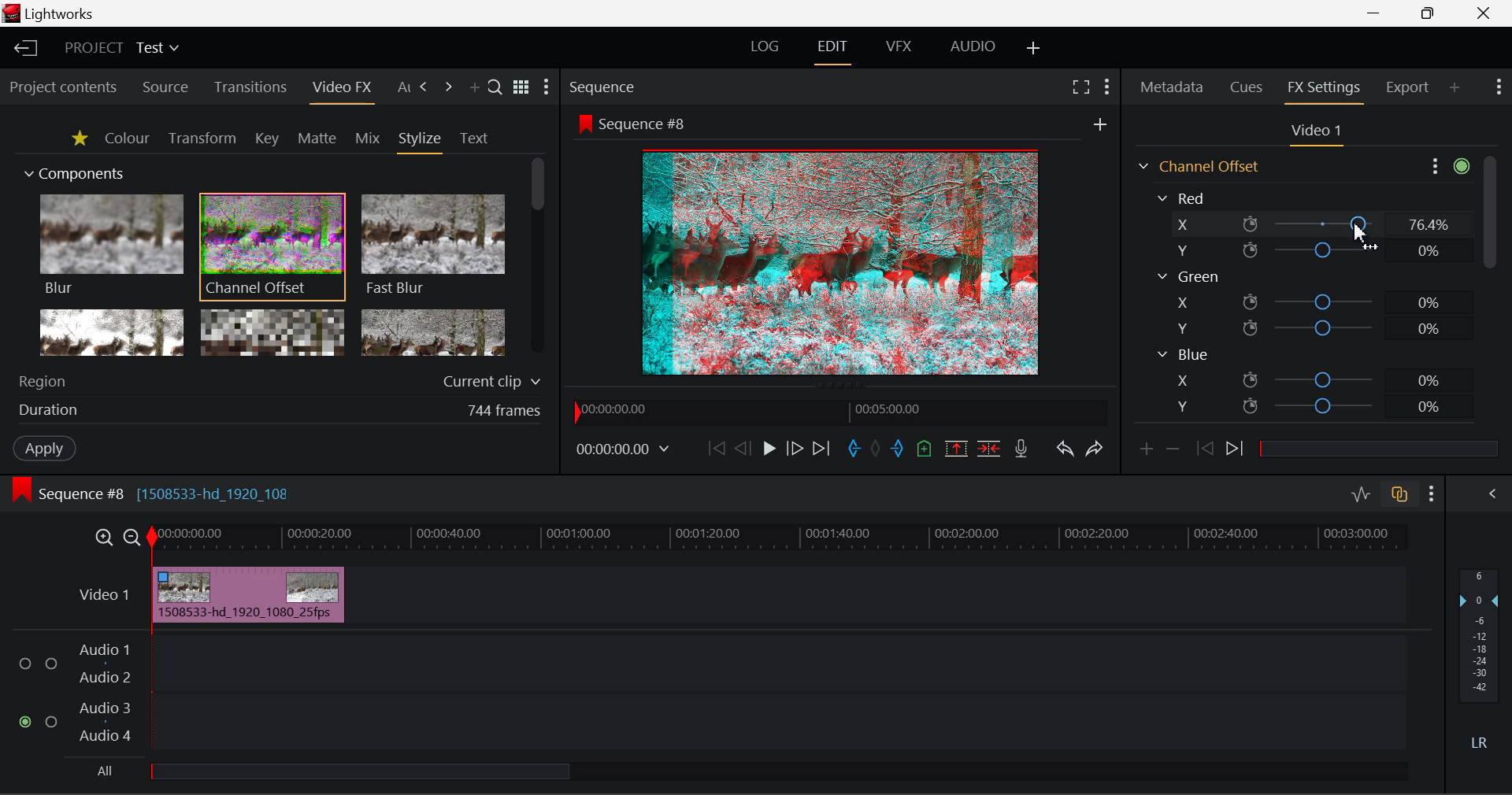 This screenshot has width=1512, height=795. What do you see at coordinates (1362, 495) in the screenshot?
I see `Toggle Audio Levels Editing` at bounding box center [1362, 495].